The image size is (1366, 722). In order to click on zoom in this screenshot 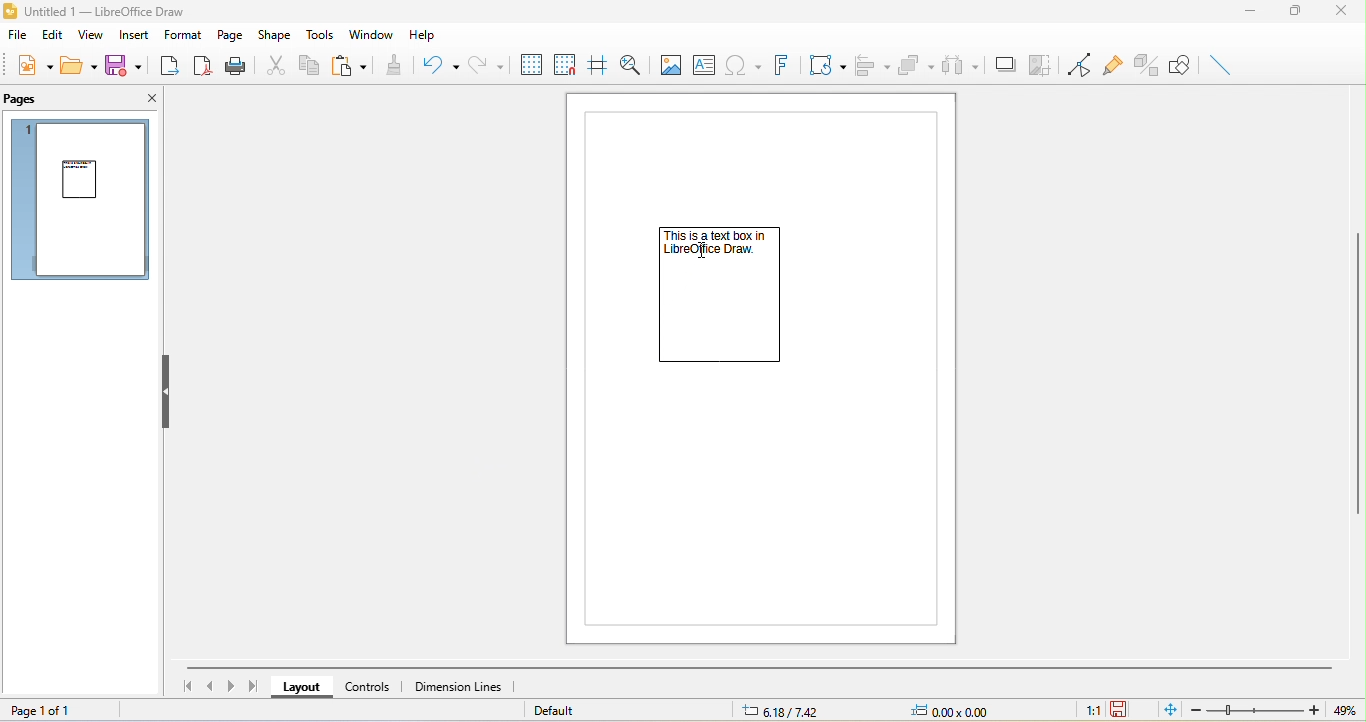, I will do `click(1275, 710)`.